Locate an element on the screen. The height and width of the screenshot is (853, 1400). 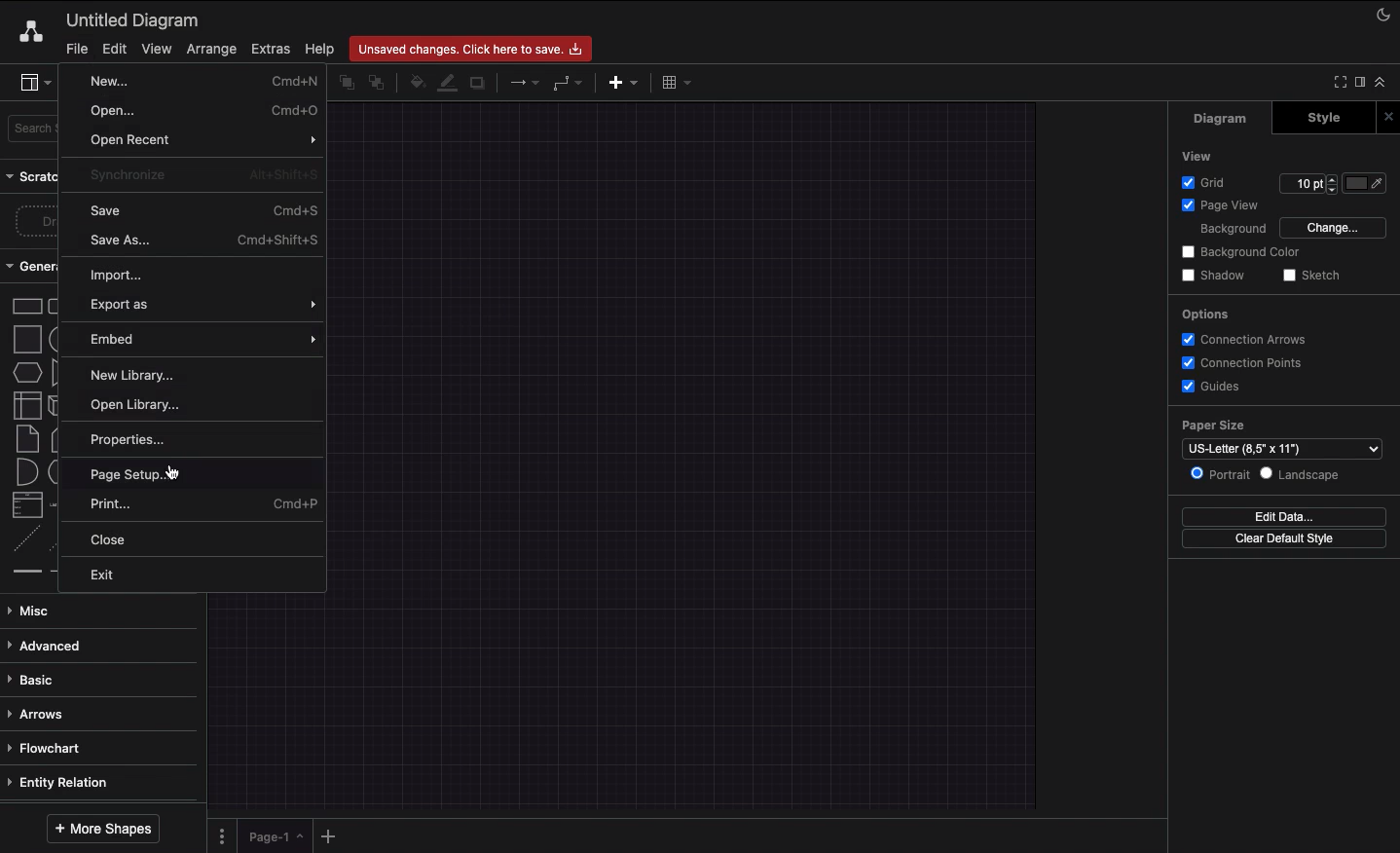
Shadow is located at coordinates (479, 82).